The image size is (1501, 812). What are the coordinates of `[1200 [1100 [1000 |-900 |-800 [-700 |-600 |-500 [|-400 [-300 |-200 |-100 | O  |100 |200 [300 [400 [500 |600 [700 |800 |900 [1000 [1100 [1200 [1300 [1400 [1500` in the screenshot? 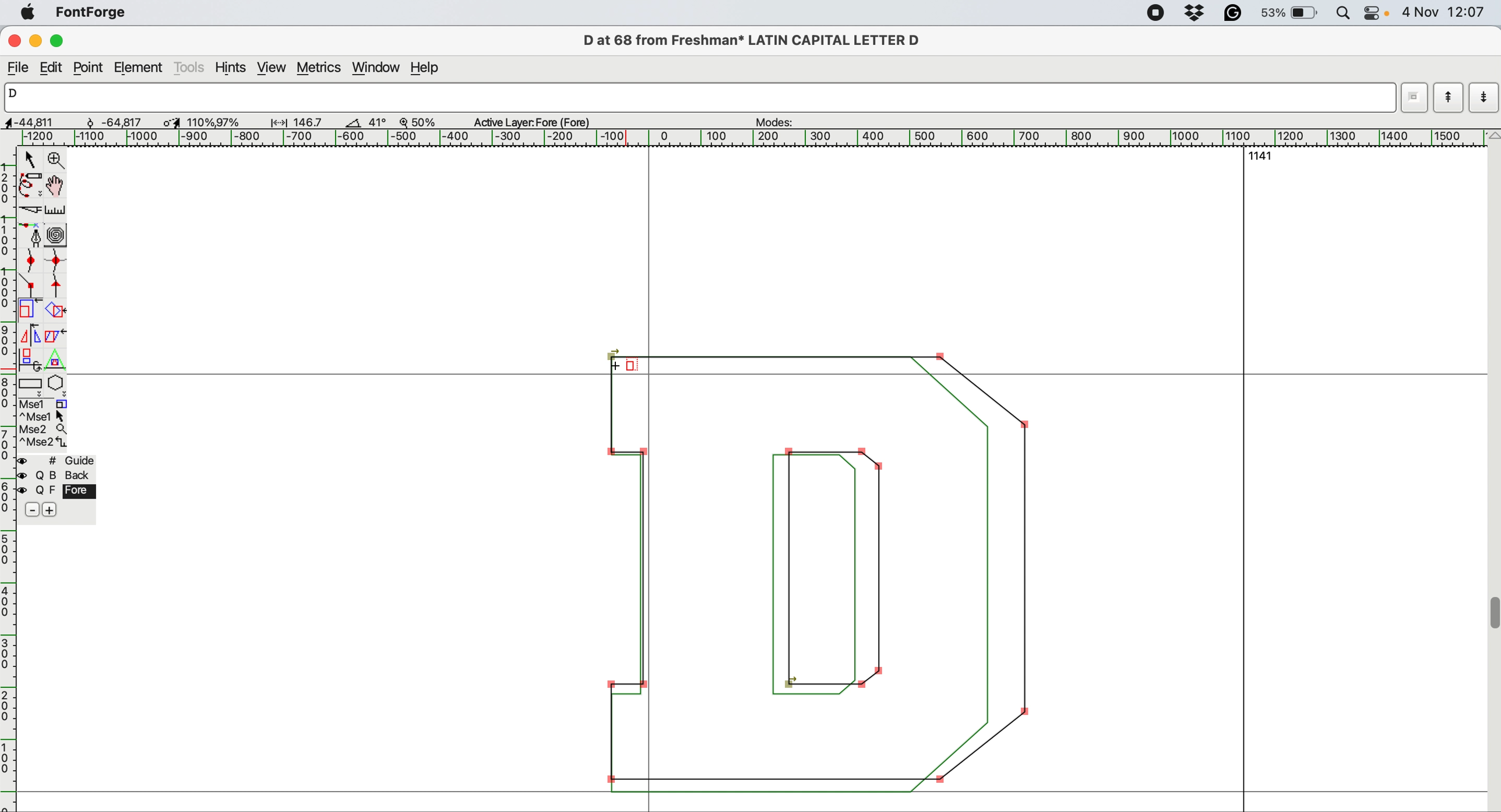 It's located at (745, 136).